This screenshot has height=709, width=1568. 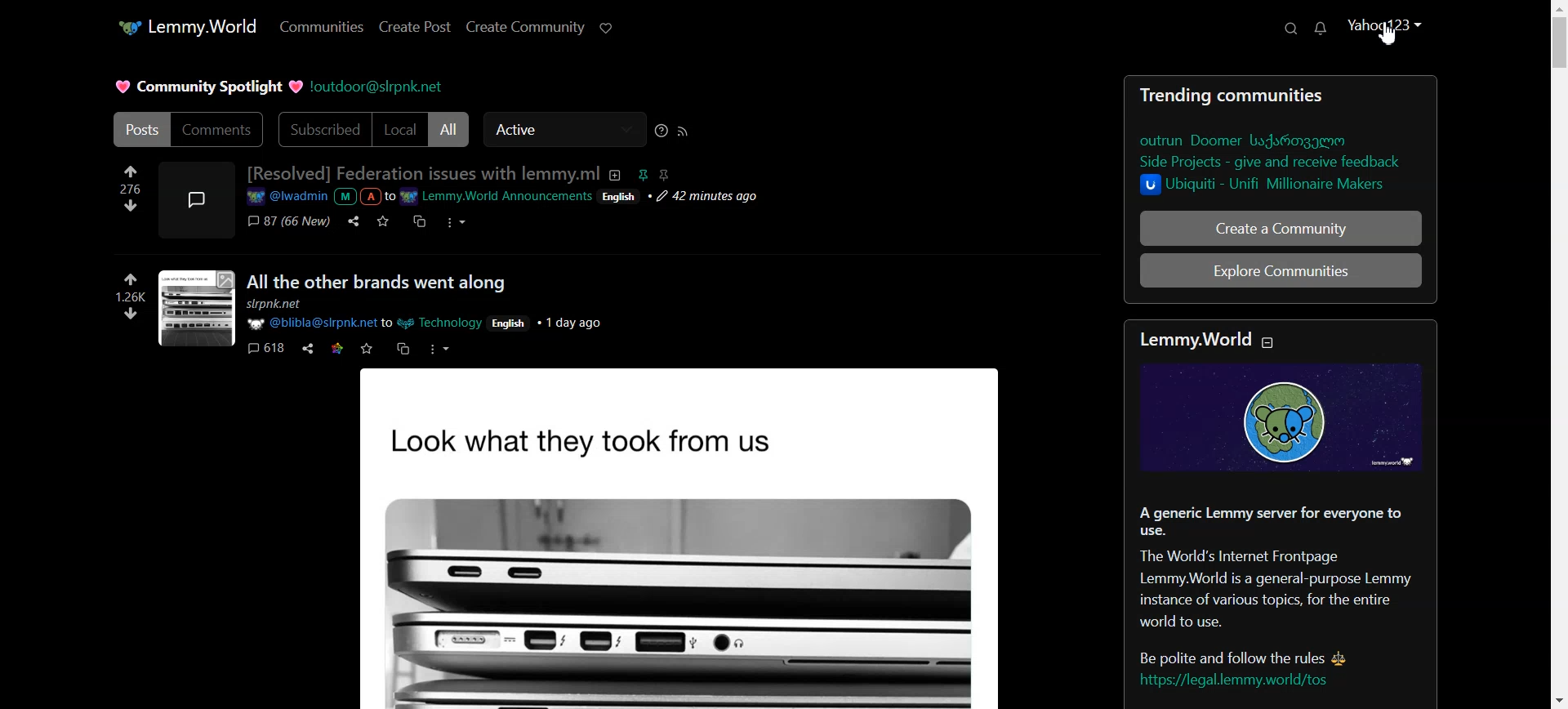 I want to click on !outdoor@slrpnk.net, so click(x=376, y=87).